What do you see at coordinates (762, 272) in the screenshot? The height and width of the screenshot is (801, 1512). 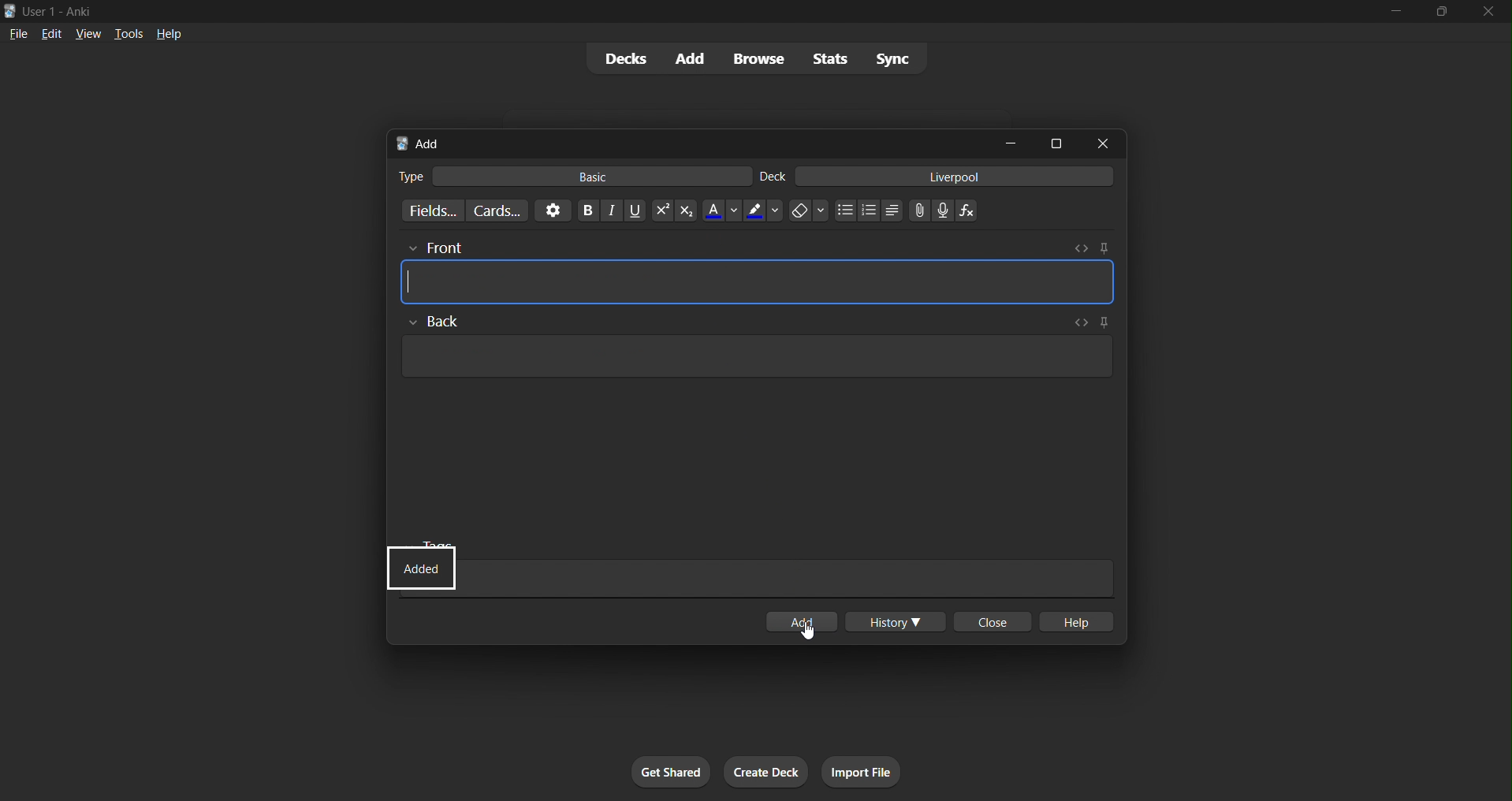 I see `Card Front input field` at bounding box center [762, 272].